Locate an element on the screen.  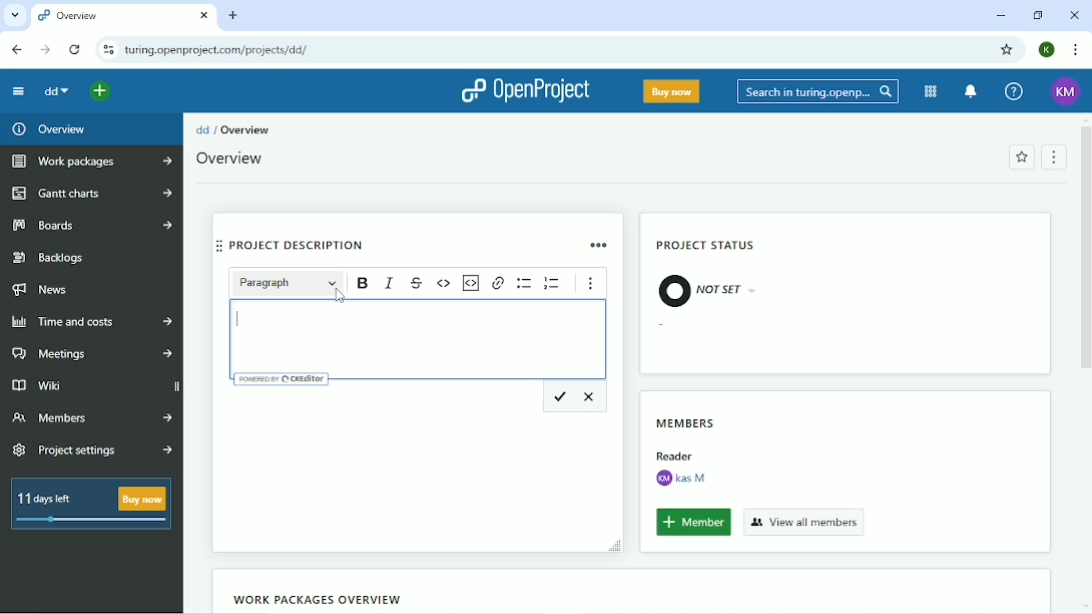
Modules is located at coordinates (930, 91).